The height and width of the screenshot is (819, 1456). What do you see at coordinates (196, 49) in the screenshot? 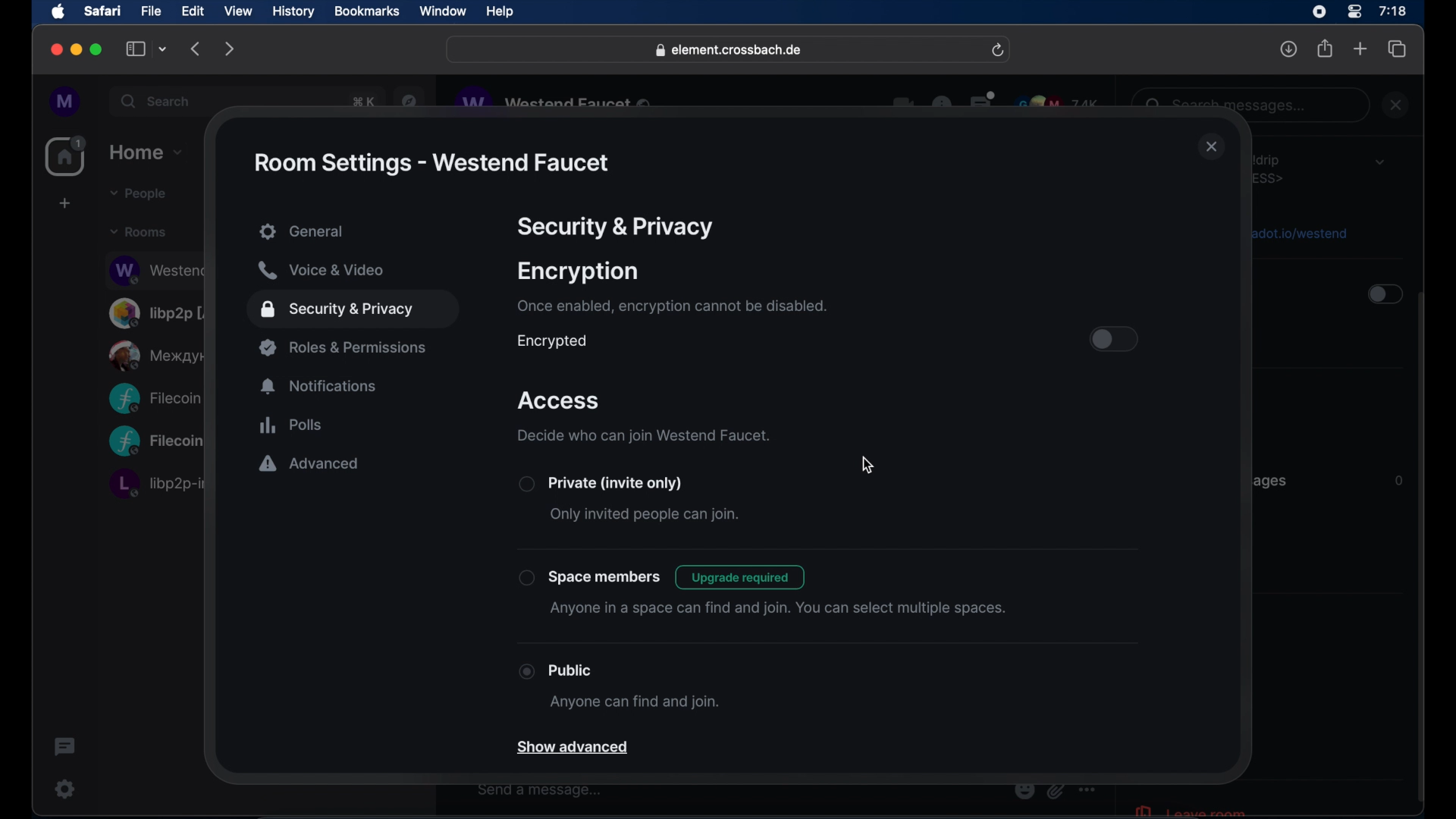
I see `backward` at bounding box center [196, 49].